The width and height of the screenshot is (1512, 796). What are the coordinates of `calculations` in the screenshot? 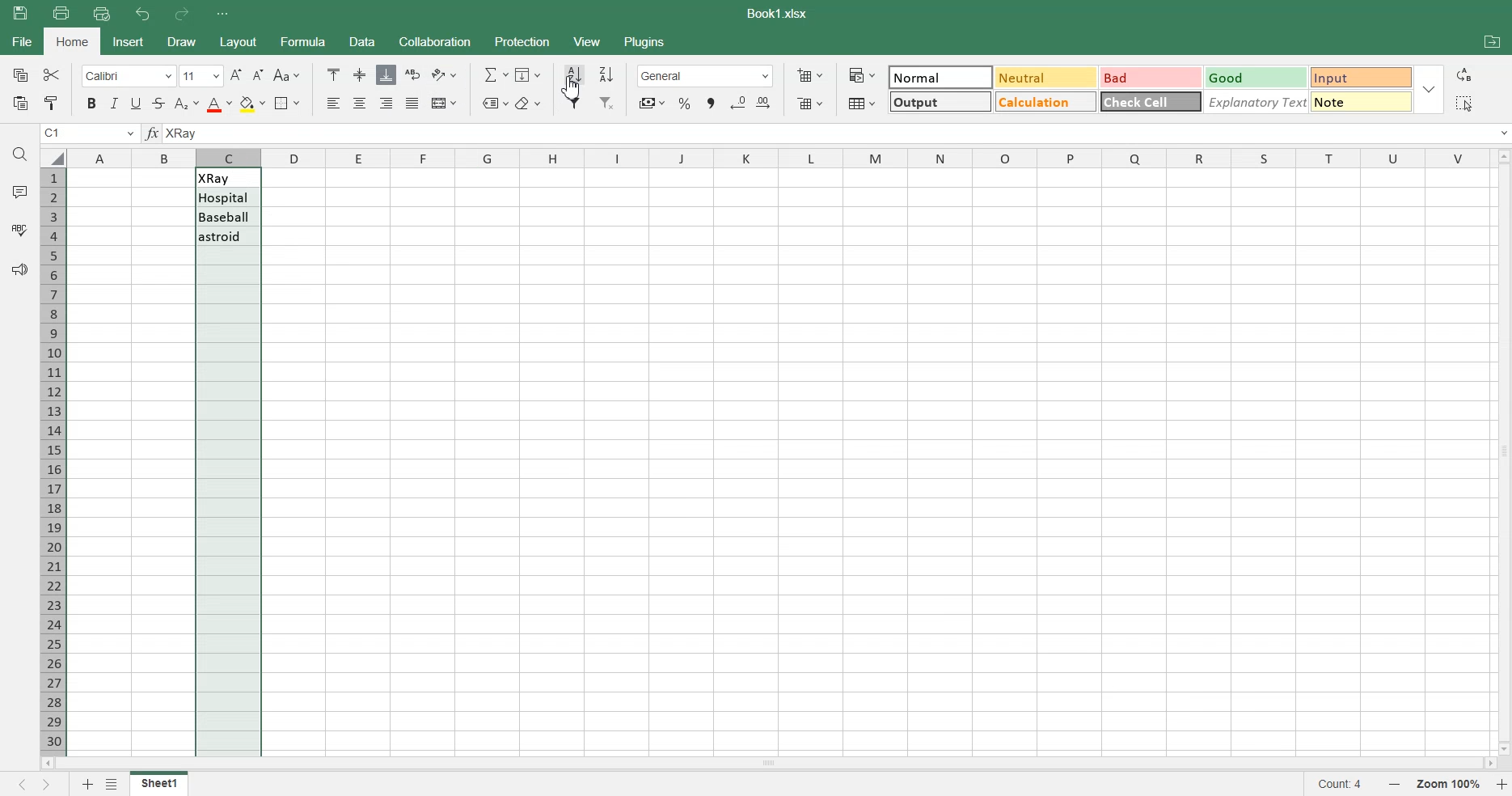 It's located at (1043, 102).